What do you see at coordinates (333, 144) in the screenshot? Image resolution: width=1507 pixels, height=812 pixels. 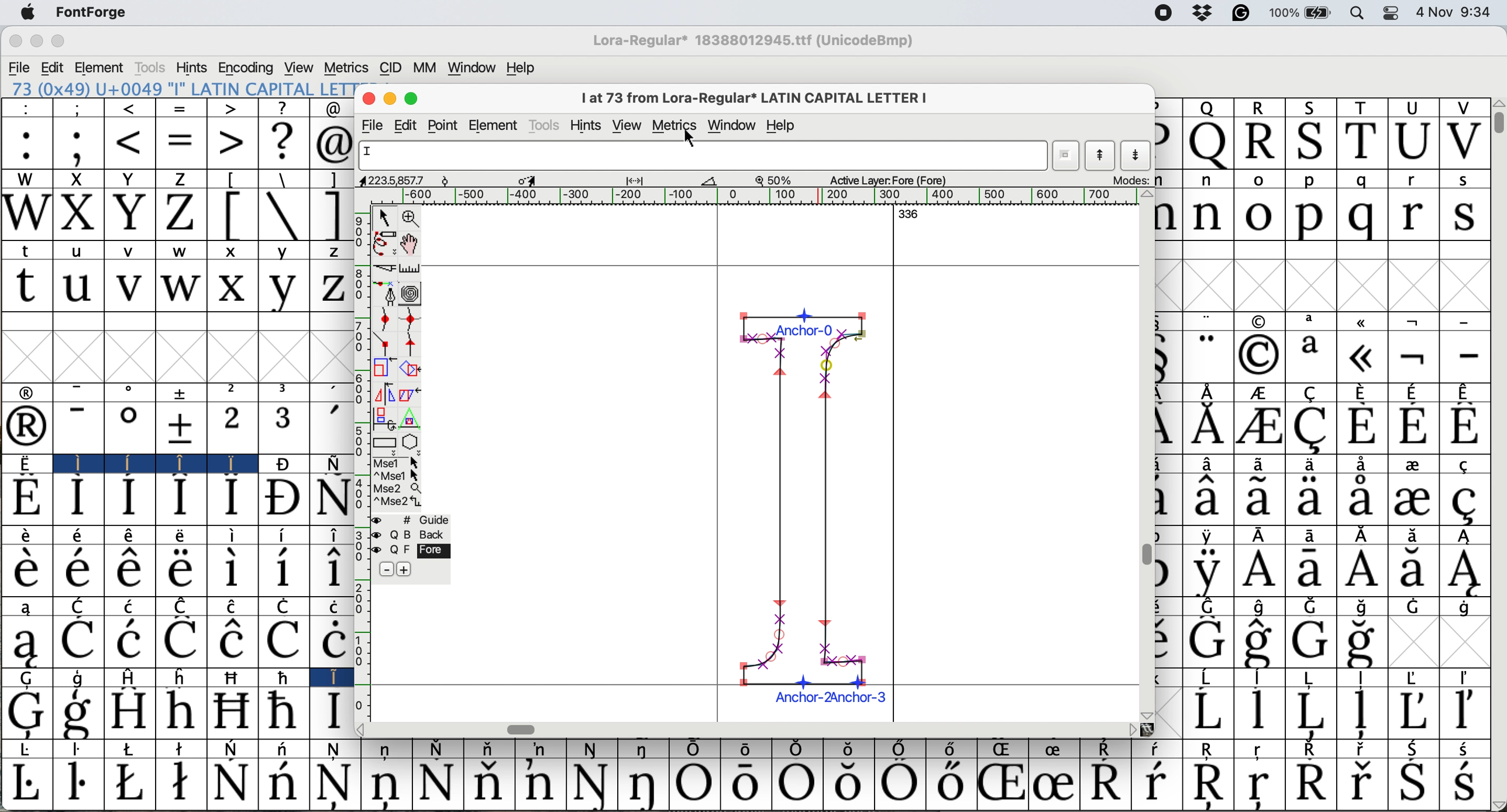 I see `@` at bounding box center [333, 144].